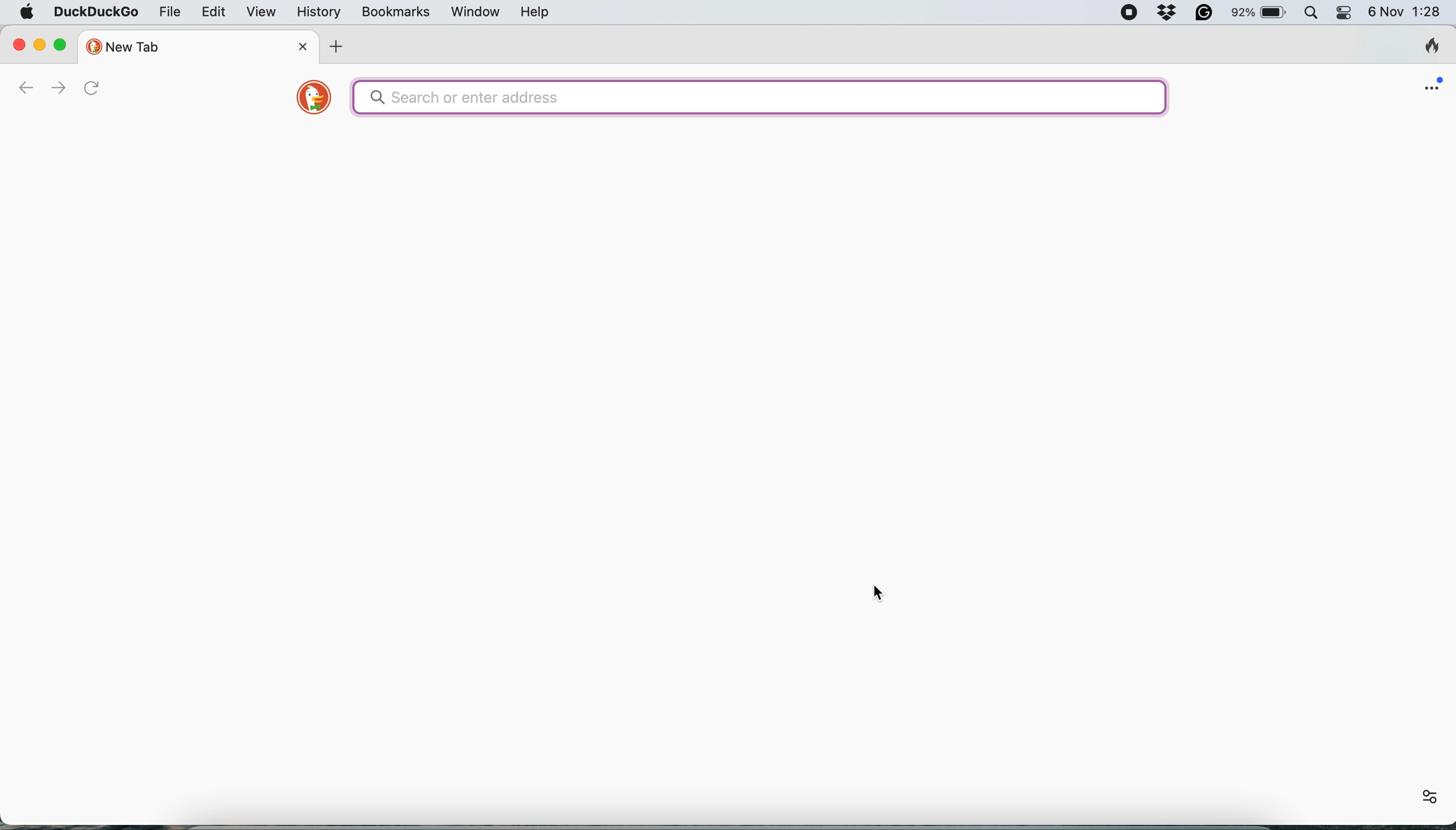  I want to click on clear browsing history, so click(1433, 44).